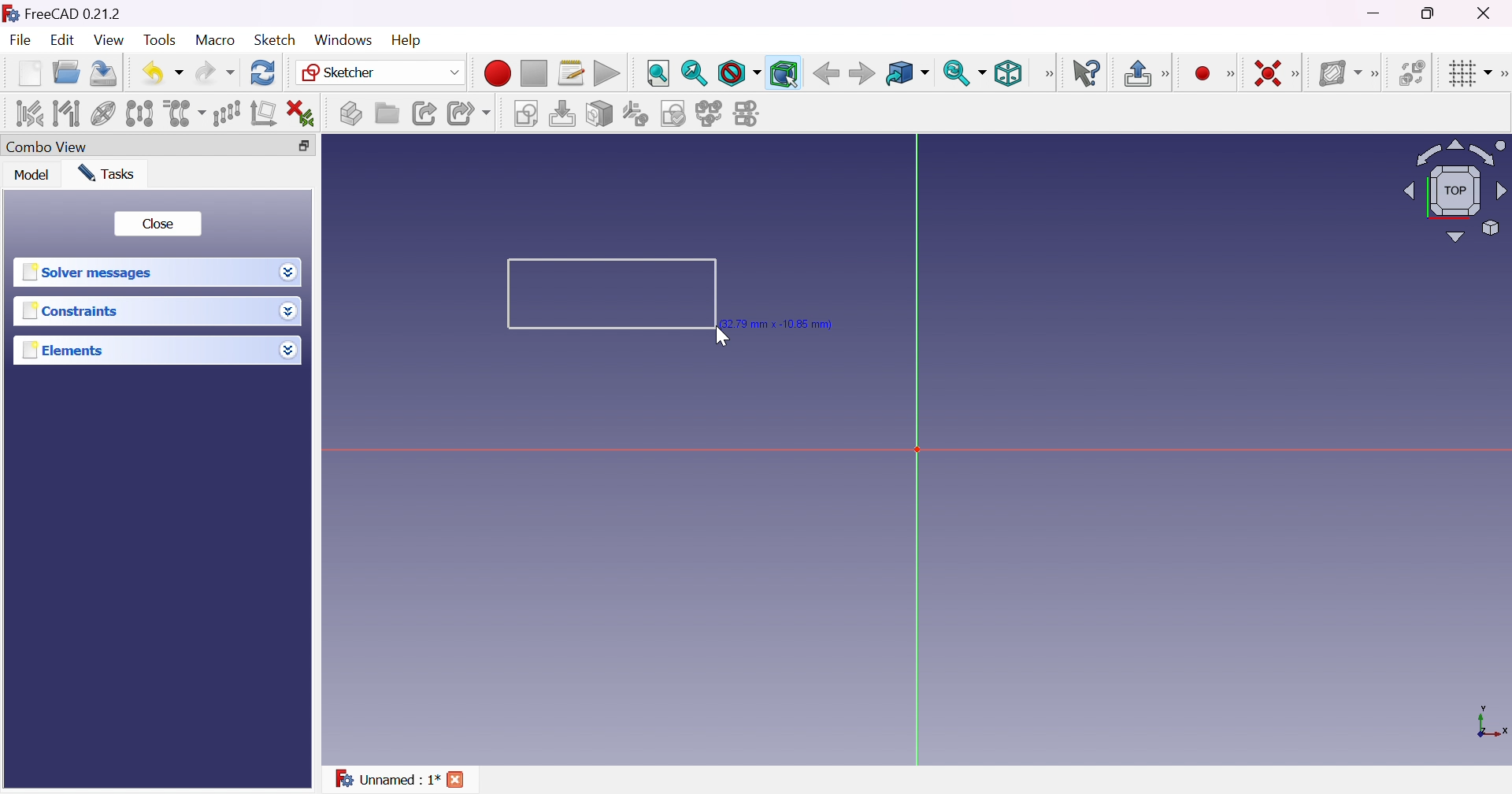  I want to click on Execute macro, so click(607, 74).